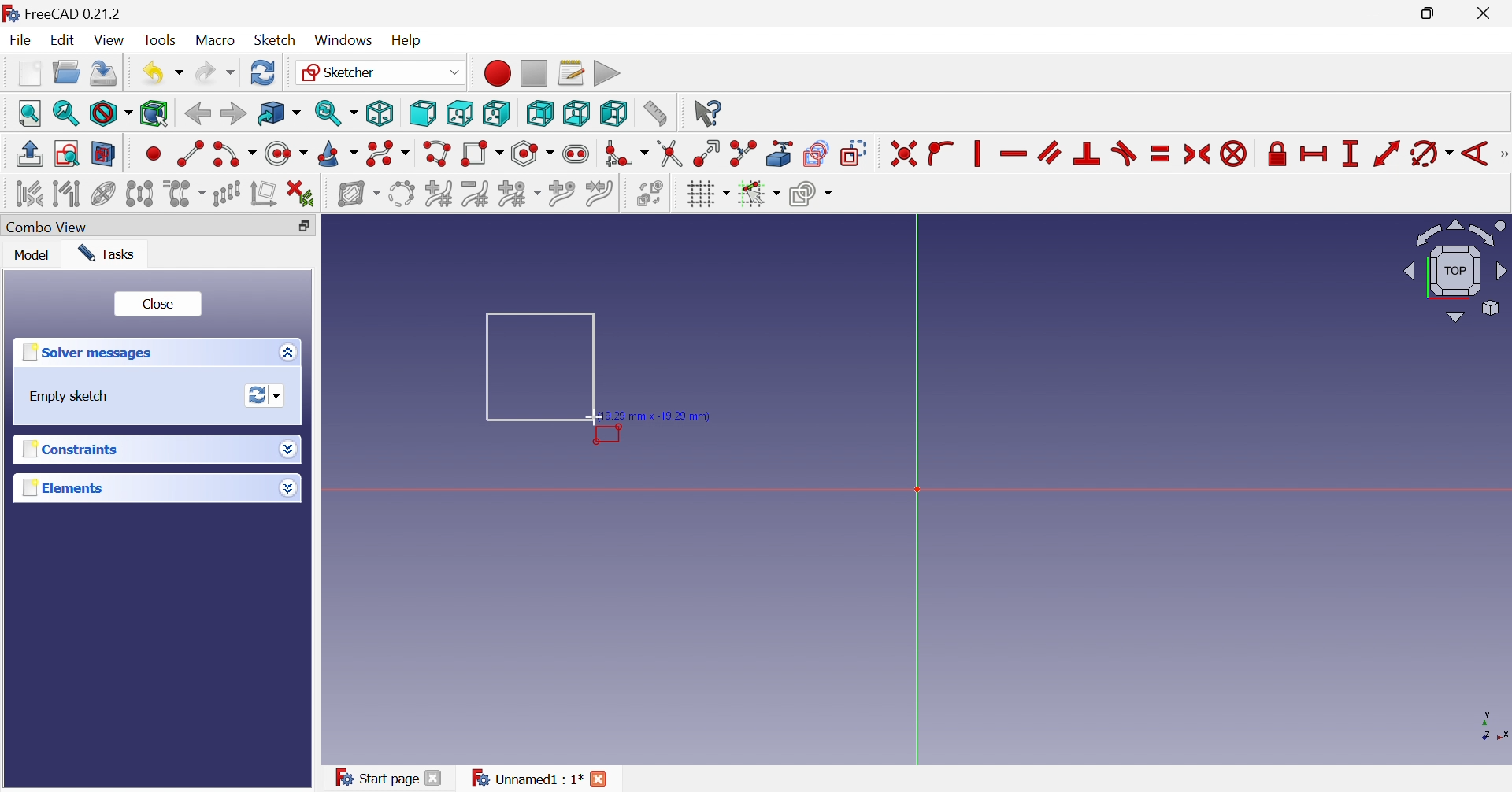 Image resolution: width=1512 pixels, height=792 pixels. I want to click on Constrain vertically, so click(975, 154).